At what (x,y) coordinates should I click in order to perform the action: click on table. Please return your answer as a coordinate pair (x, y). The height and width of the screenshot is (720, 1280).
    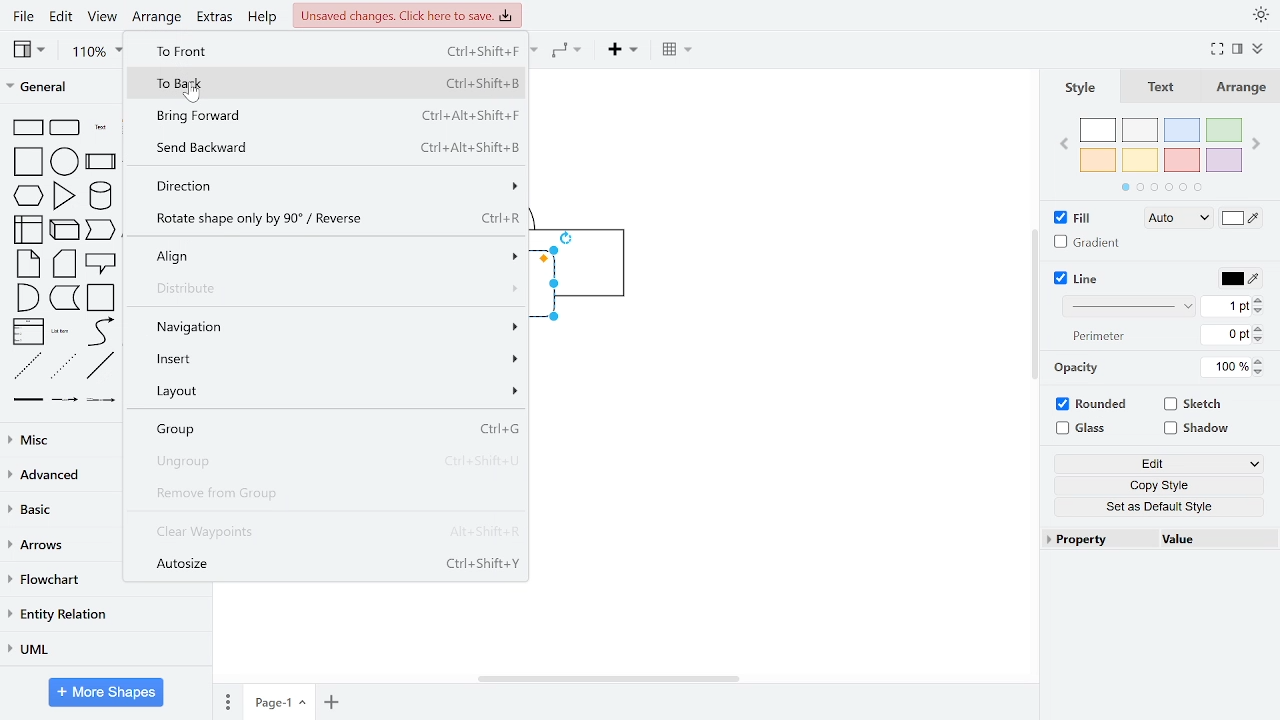
    Looking at the image, I should click on (680, 52).